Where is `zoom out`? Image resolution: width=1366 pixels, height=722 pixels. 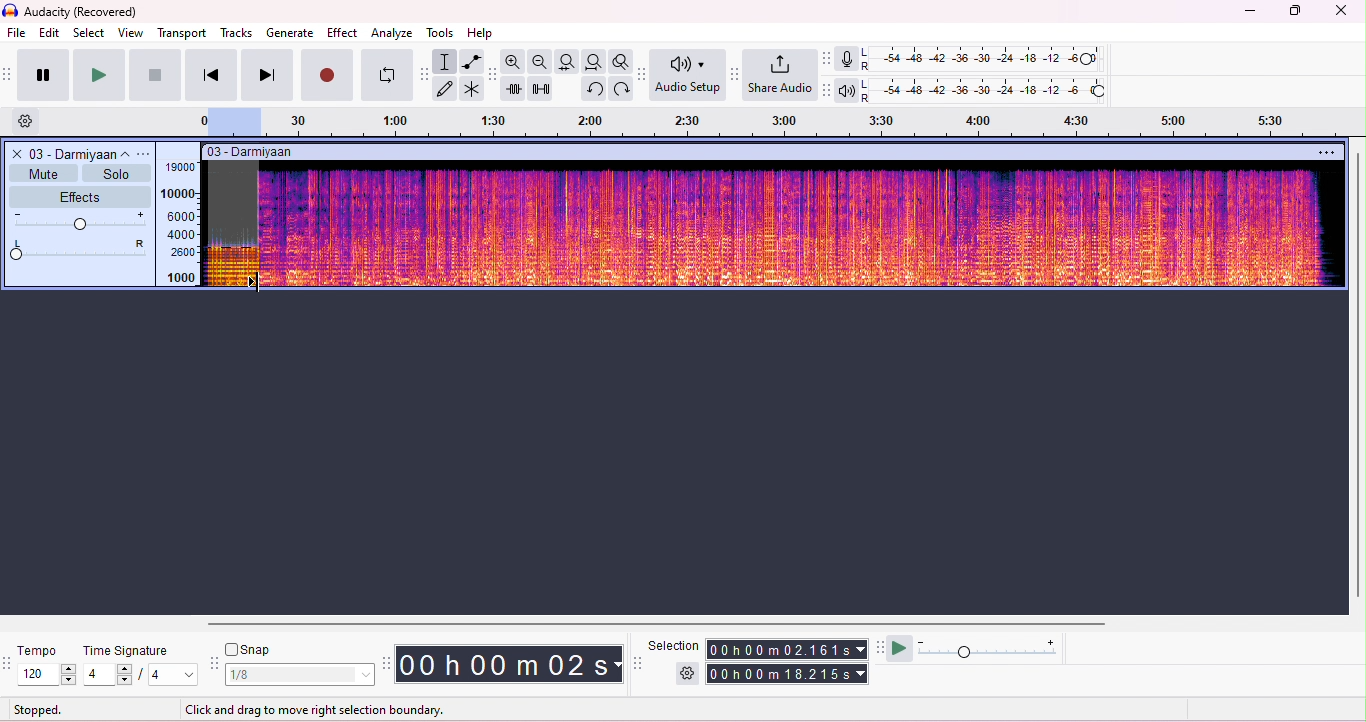
zoom out is located at coordinates (539, 60).